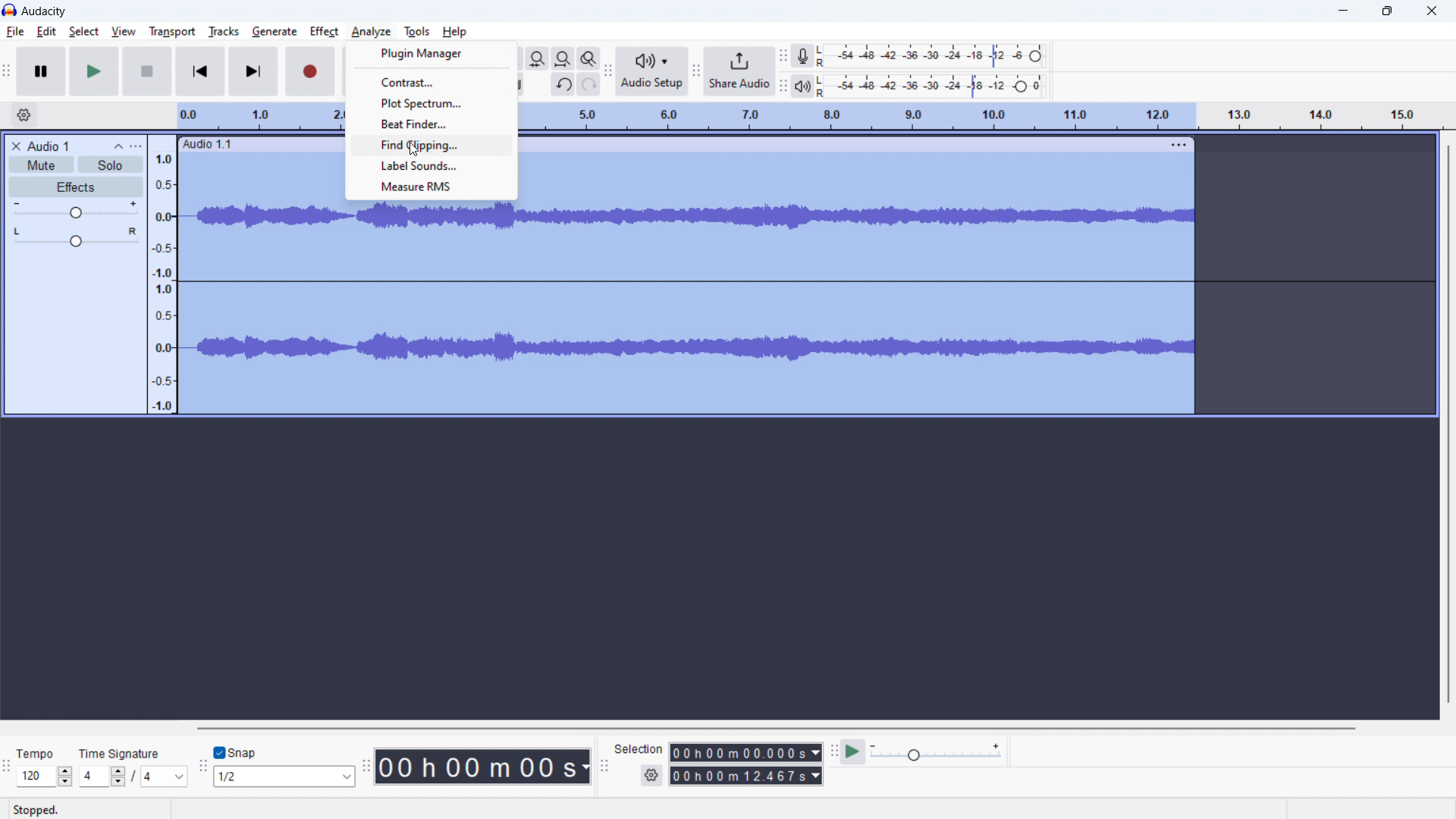 The width and height of the screenshot is (1456, 819). I want to click on label sounds, so click(433, 165).